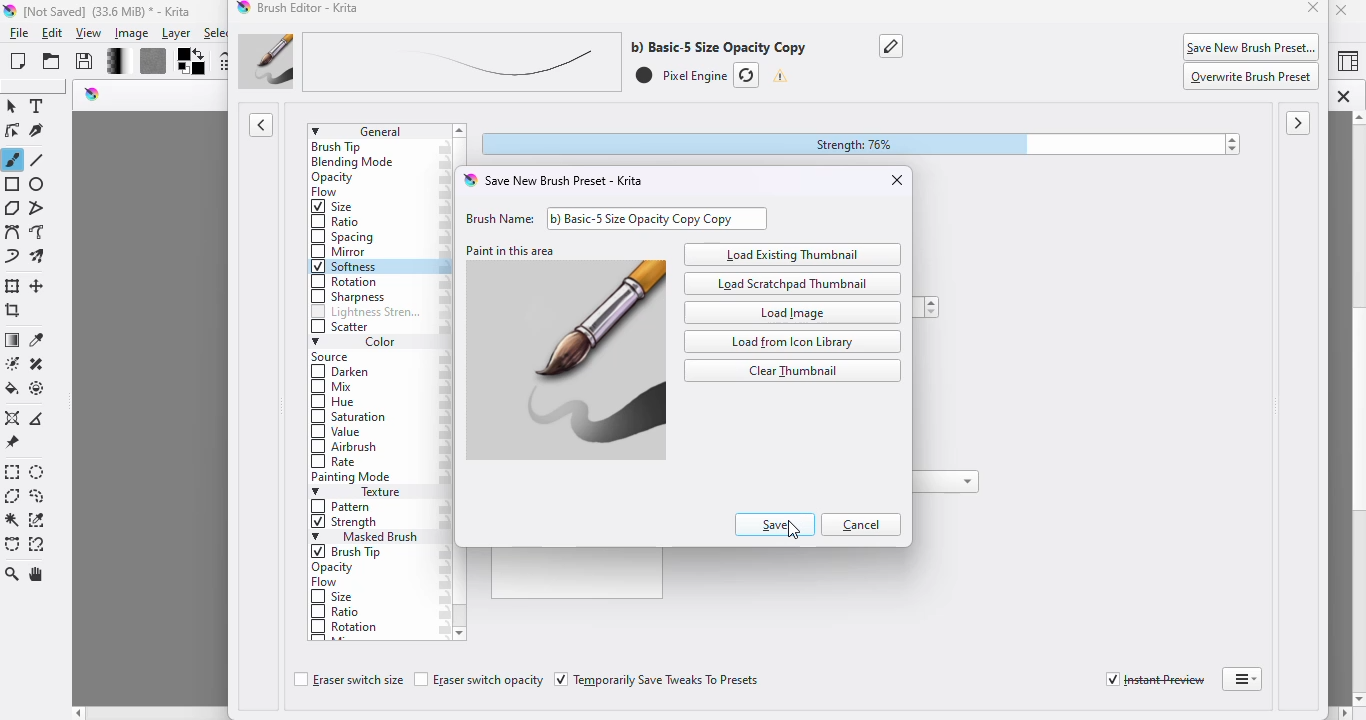 This screenshot has width=1366, height=720. Describe the element at coordinates (13, 574) in the screenshot. I see `zoom tool` at that location.